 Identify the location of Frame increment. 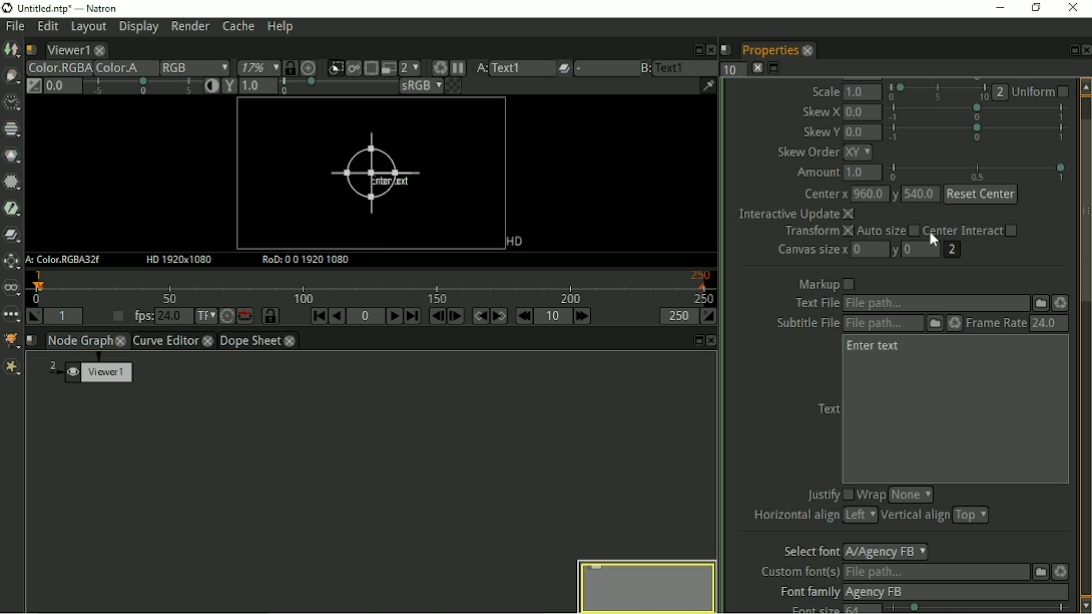
(554, 316).